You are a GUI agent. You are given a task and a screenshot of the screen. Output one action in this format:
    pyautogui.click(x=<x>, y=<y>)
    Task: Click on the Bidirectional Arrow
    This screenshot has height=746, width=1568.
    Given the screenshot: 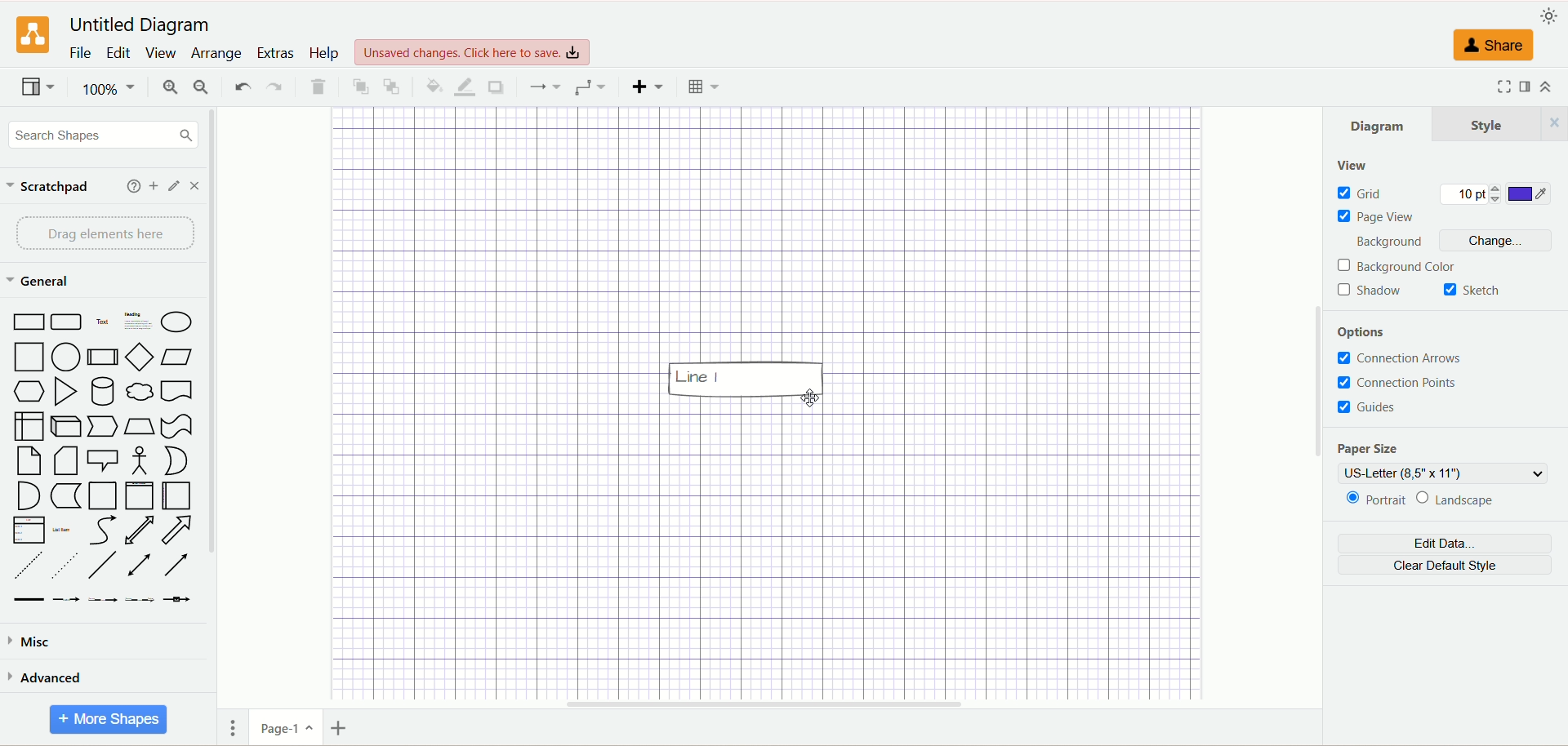 What is the action you would take?
    pyautogui.click(x=140, y=531)
    